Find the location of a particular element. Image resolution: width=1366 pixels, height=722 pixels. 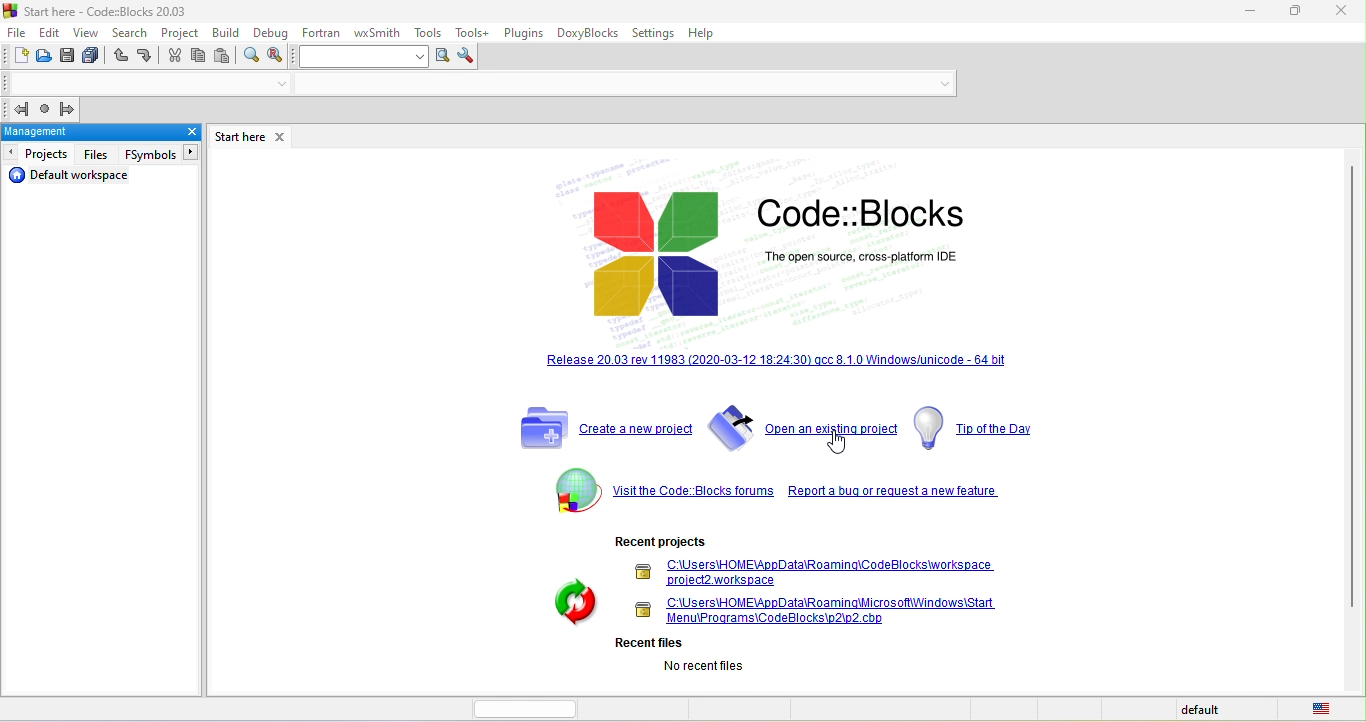

project link  is located at coordinates (816, 572).